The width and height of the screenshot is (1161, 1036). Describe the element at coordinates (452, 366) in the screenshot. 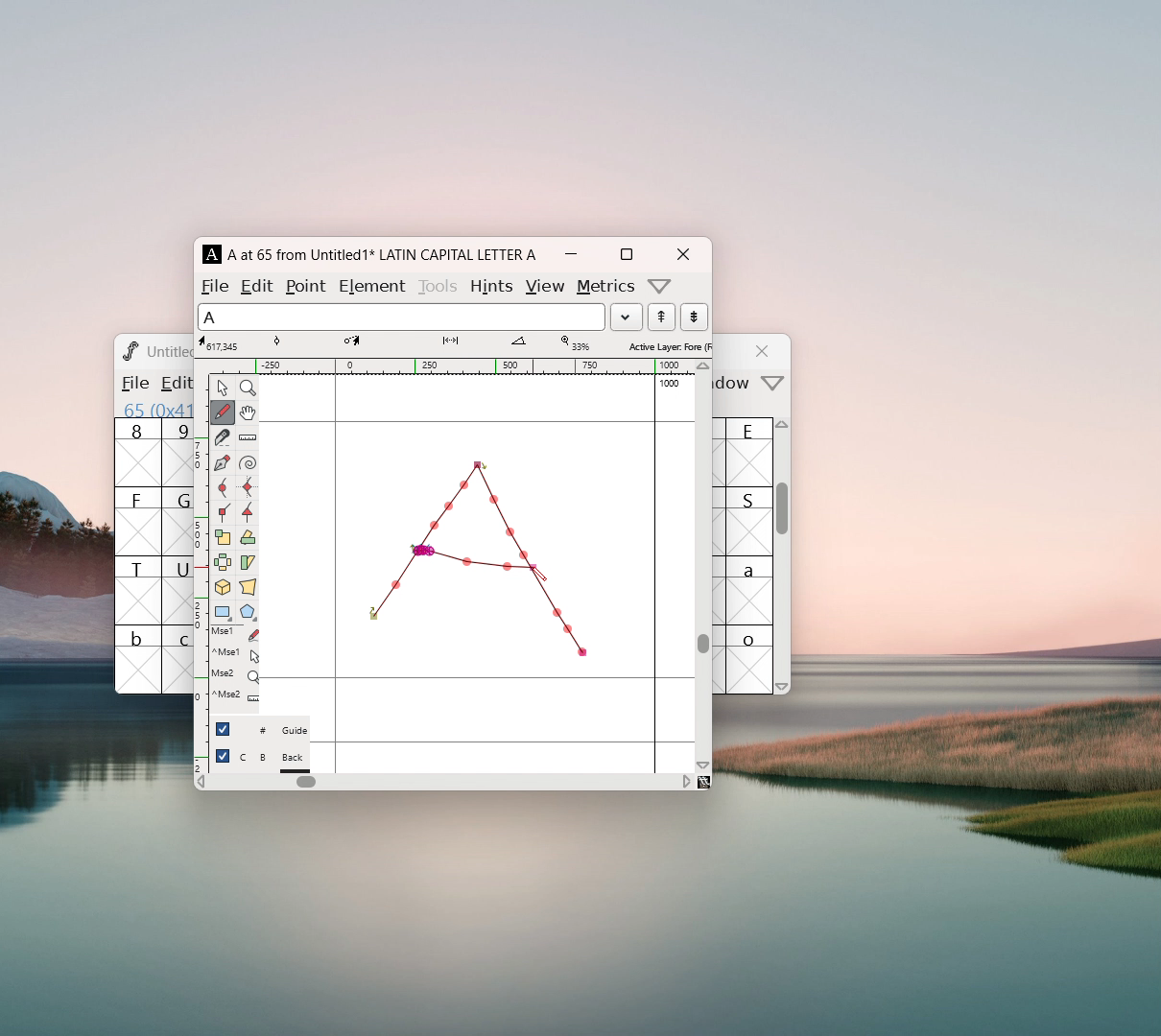

I see `horizontal ruler` at that location.